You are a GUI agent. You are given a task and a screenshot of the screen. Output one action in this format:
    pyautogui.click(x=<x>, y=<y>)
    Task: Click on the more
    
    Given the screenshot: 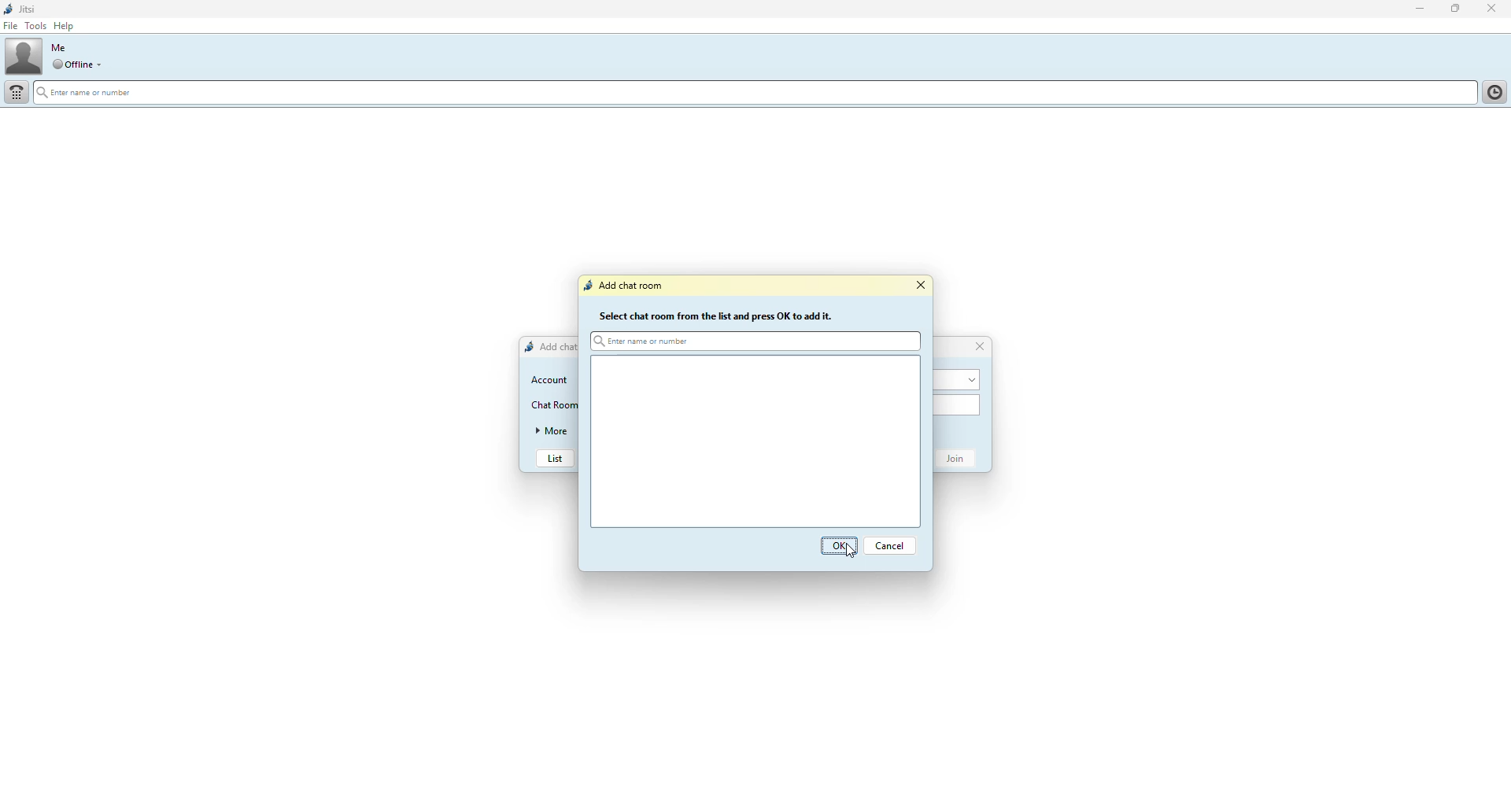 What is the action you would take?
    pyautogui.click(x=551, y=431)
    